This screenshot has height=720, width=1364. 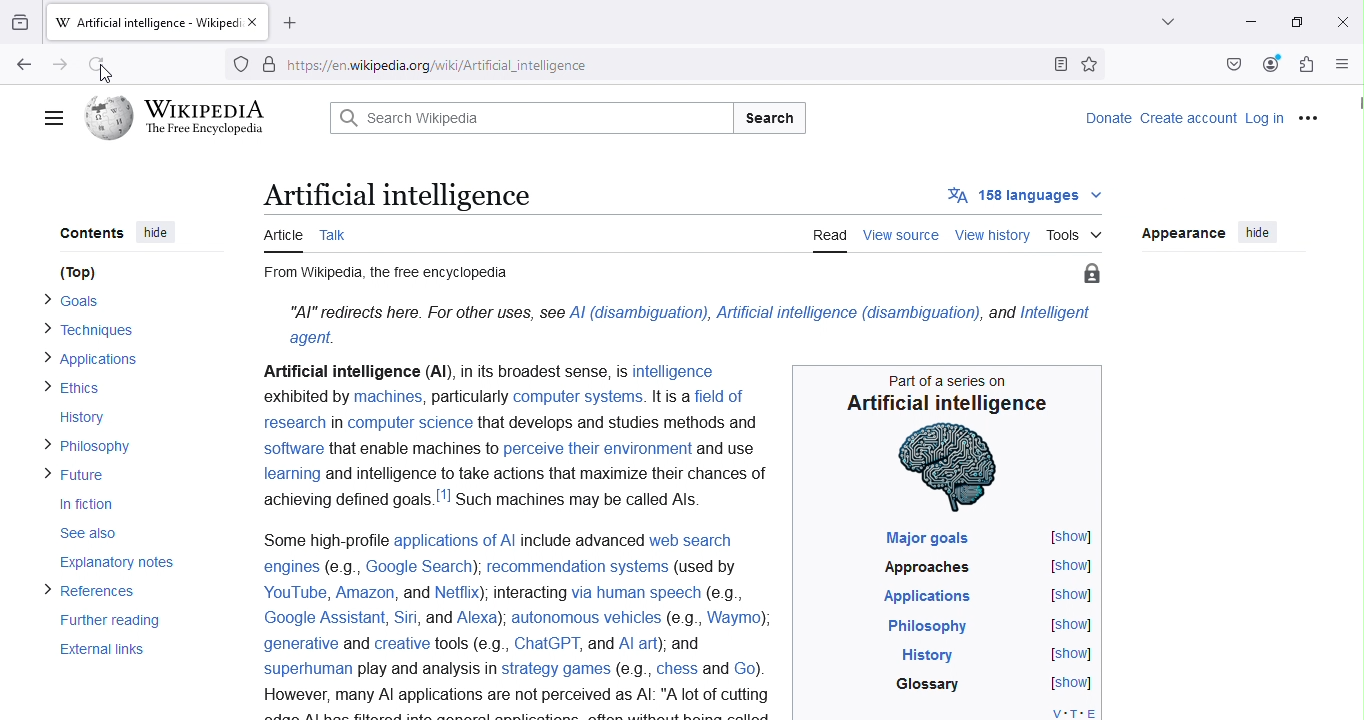 What do you see at coordinates (1183, 519) in the screenshot?
I see `Color (beta)` at bounding box center [1183, 519].